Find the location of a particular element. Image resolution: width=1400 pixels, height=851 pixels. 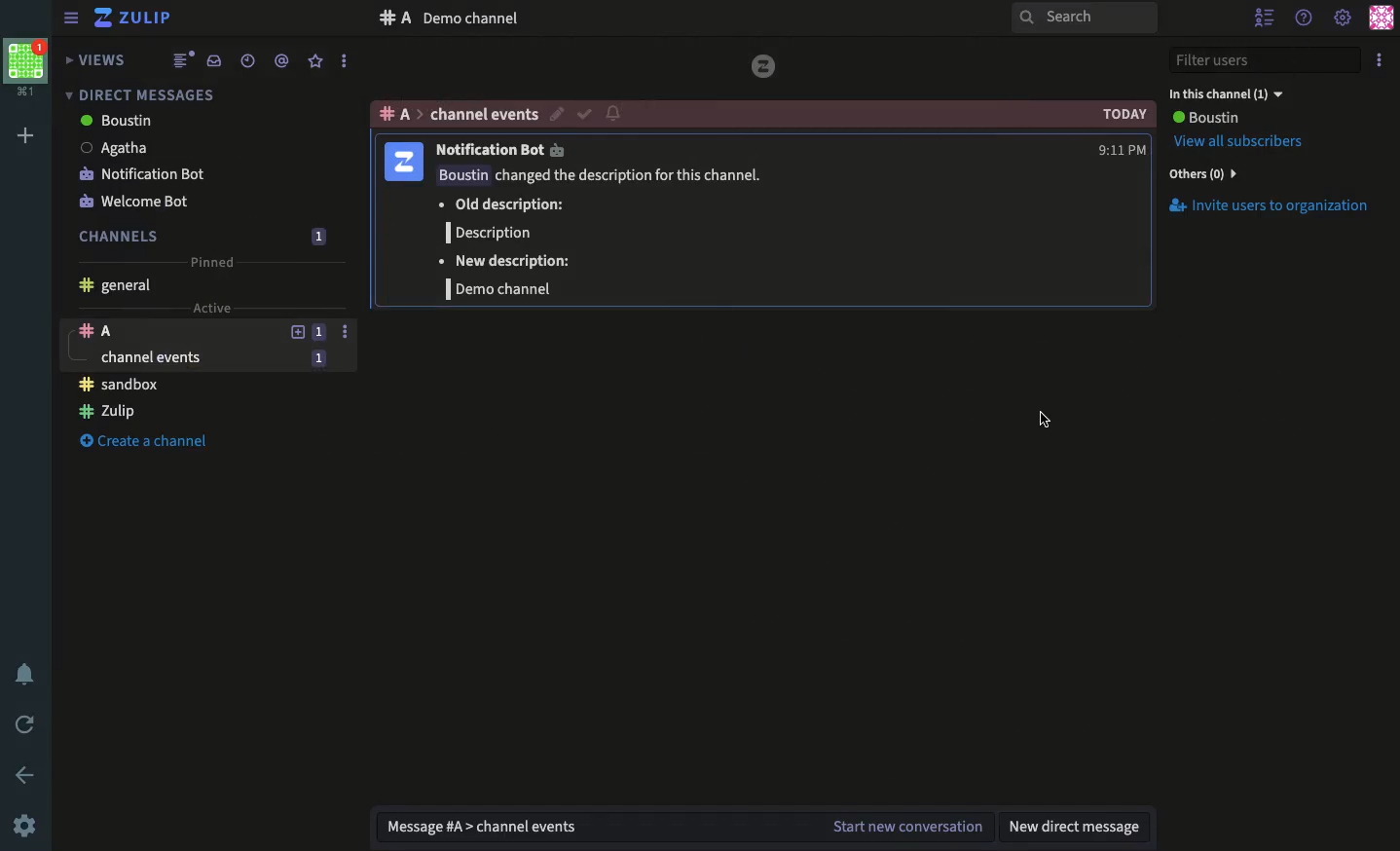

Time is located at coordinates (245, 60).